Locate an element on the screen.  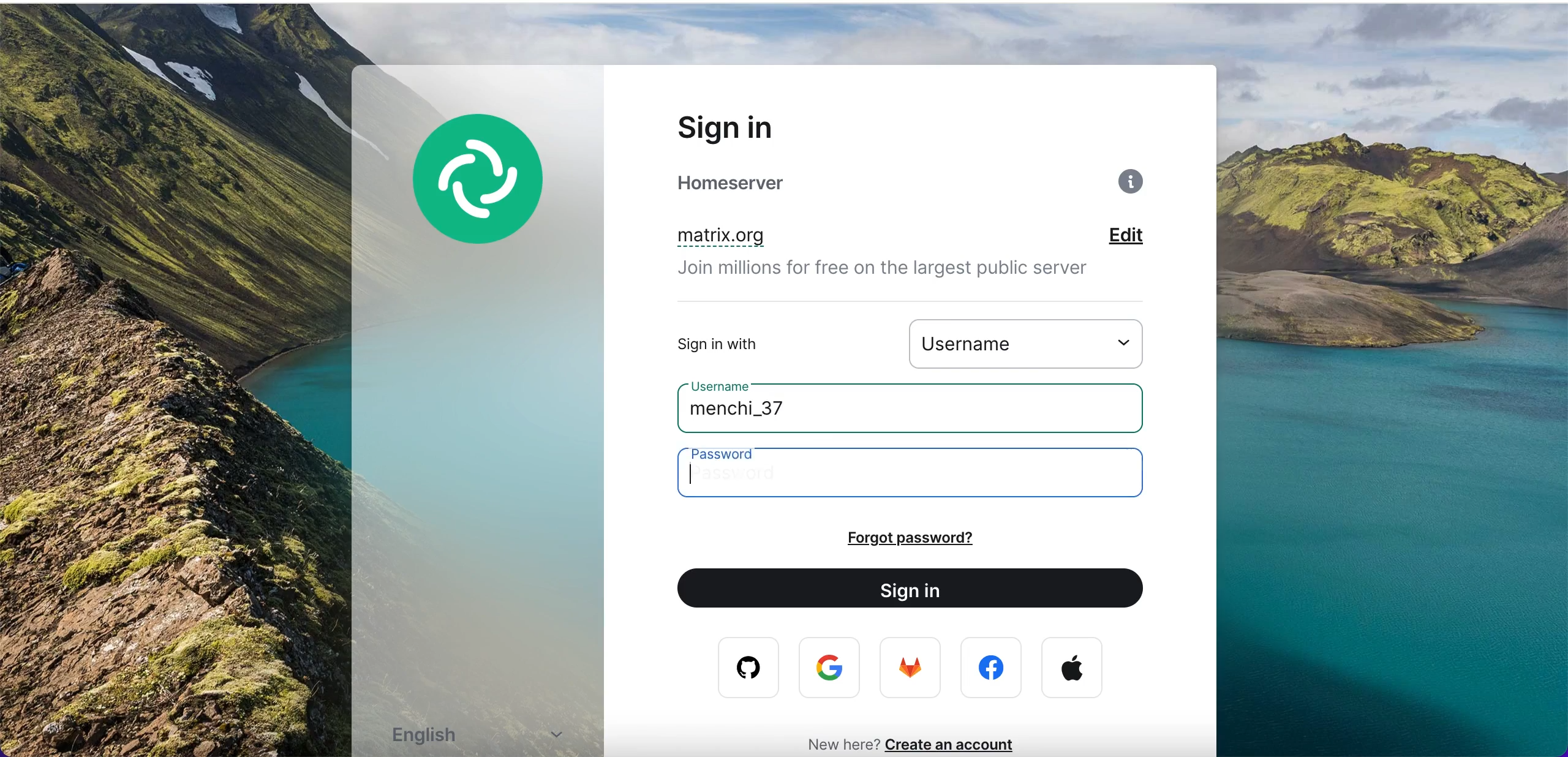
edit is located at coordinates (1144, 237).